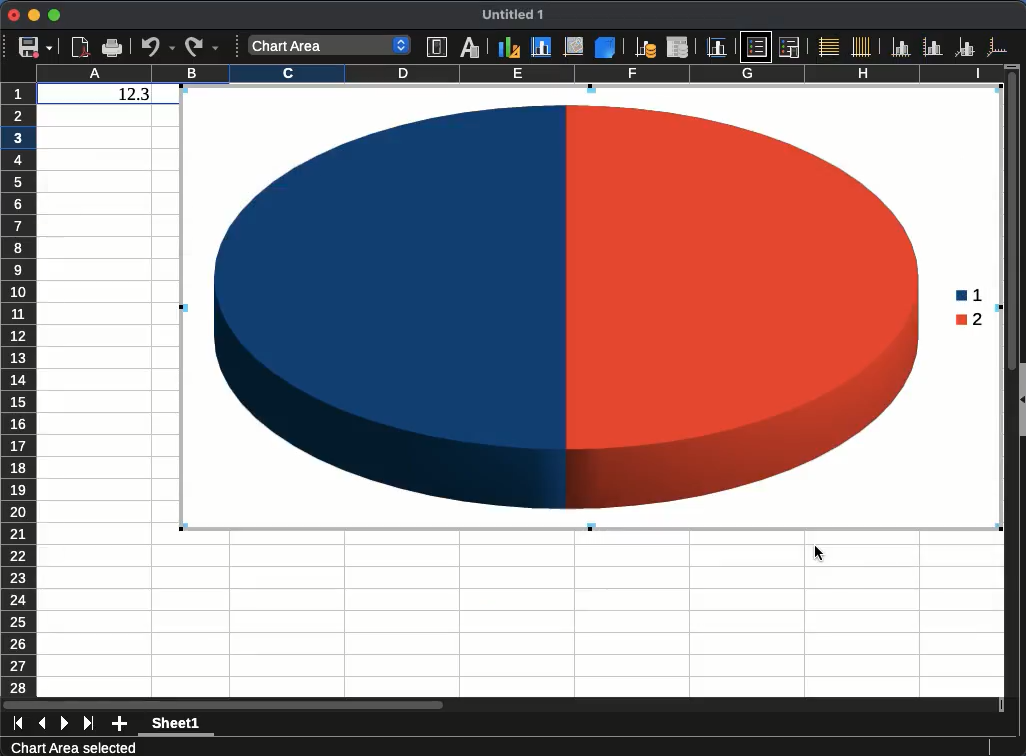  I want to click on cursor, so click(819, 553).